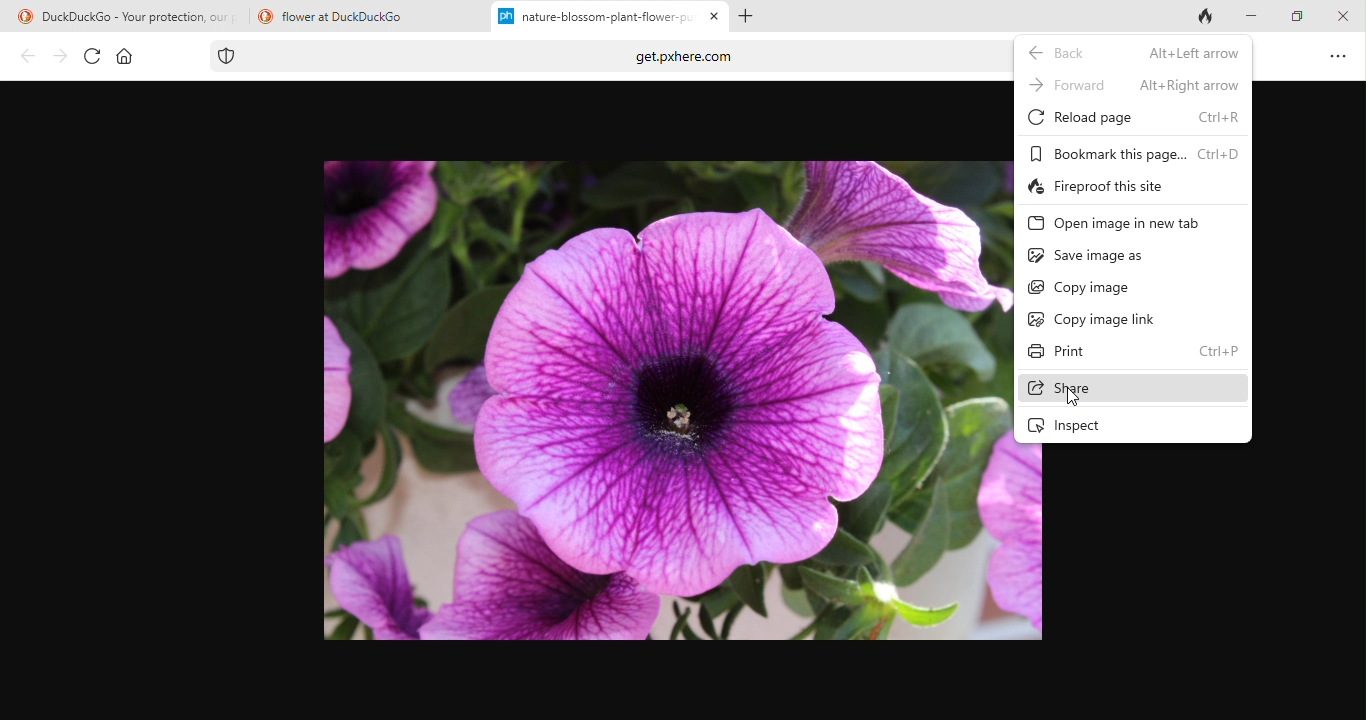  What do you see at coordinates (1133, 84) in the screenshot?
I see `forward` at bounding box center [1133, 84].